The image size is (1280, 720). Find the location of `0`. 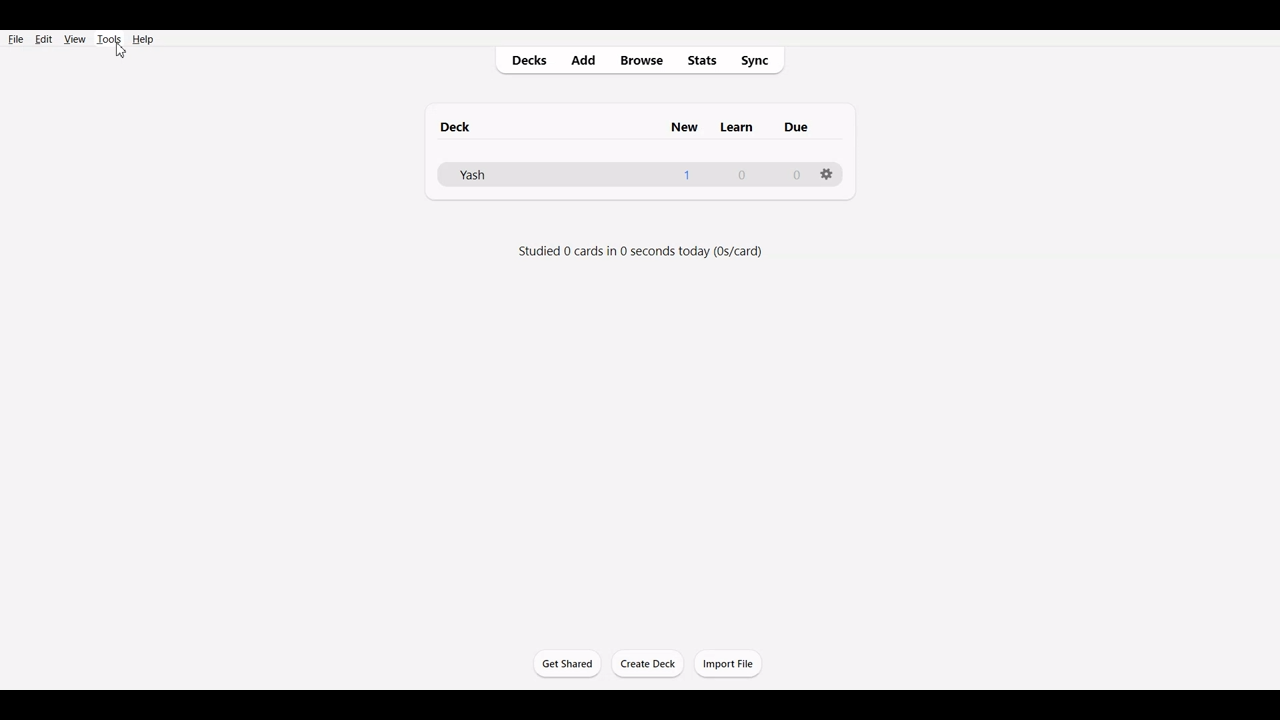

0 is located at coordinates (794, 176).